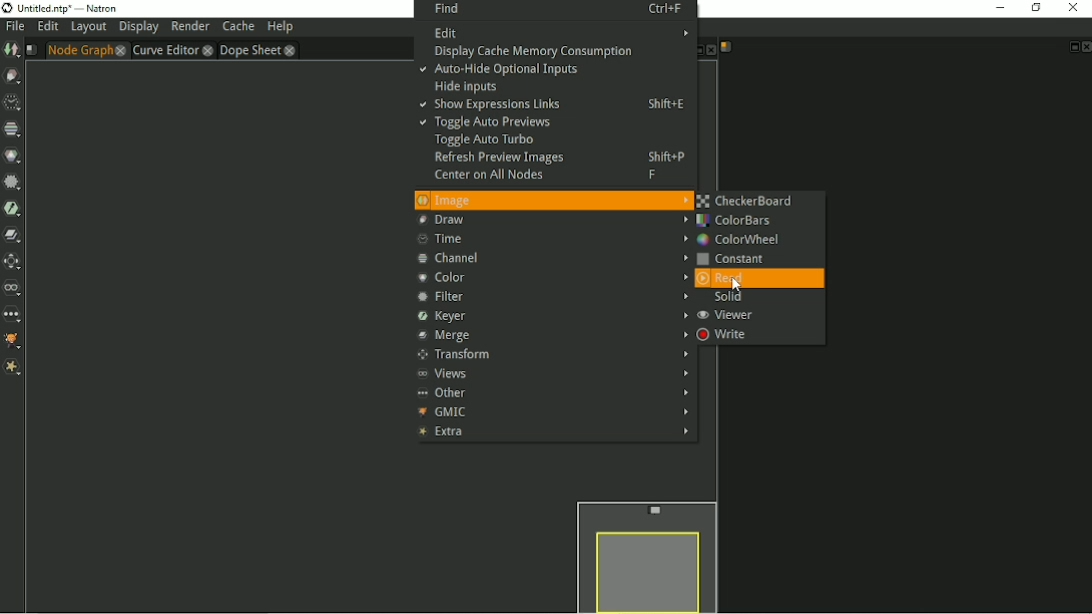  I want to click on Layout, so click(88, 28).